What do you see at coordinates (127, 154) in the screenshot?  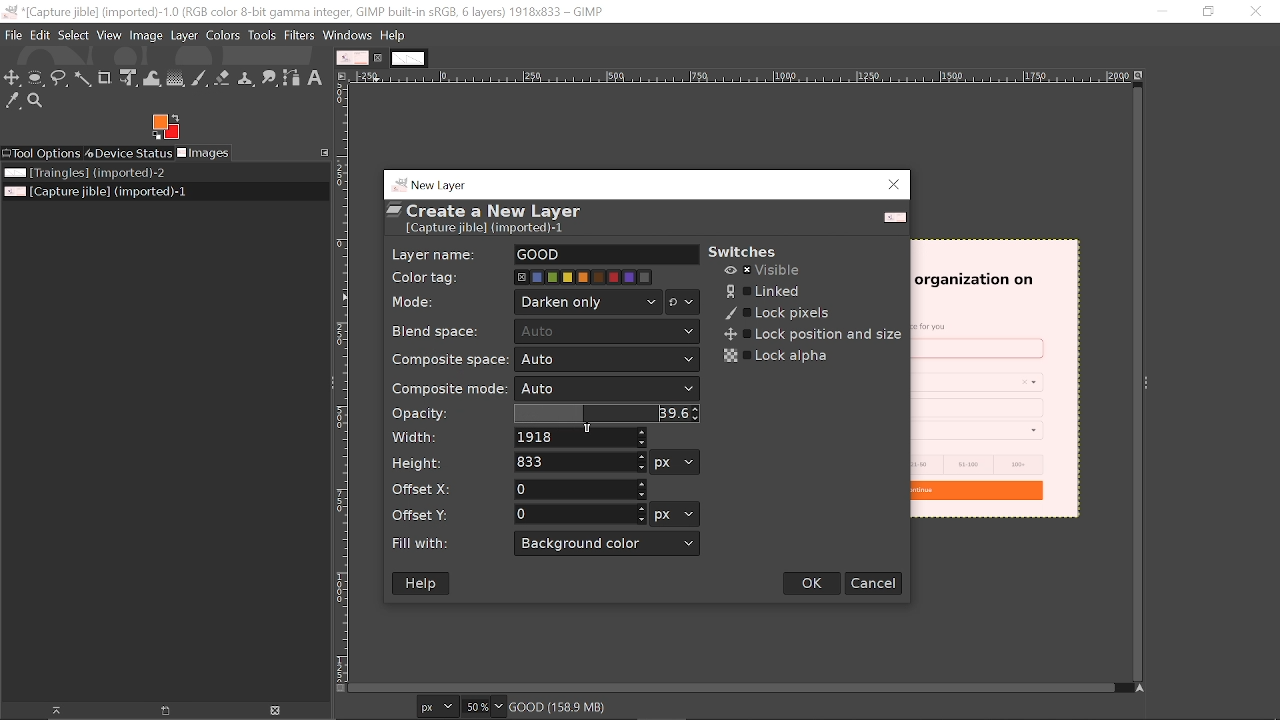 I see `Device status` at bounding box center [127, 154].